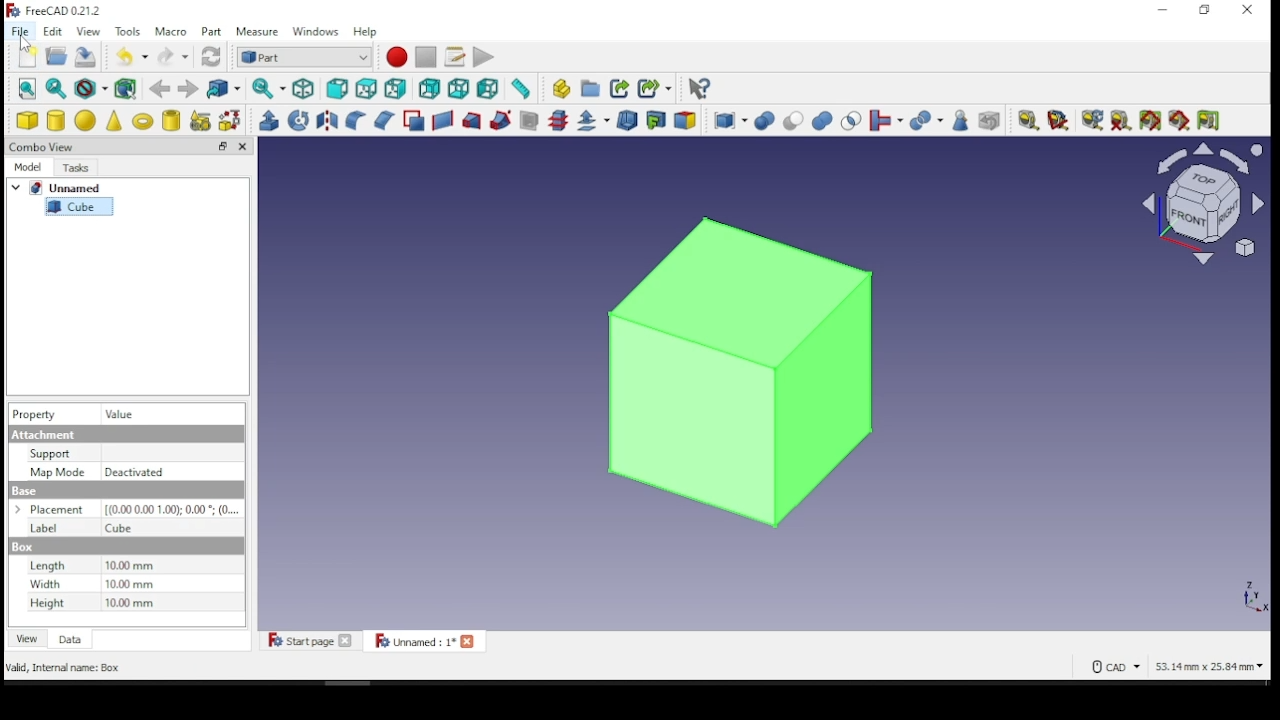  Describe the element at coordinates (327, 119) in the screenshot. I see `mirroring` at that location.